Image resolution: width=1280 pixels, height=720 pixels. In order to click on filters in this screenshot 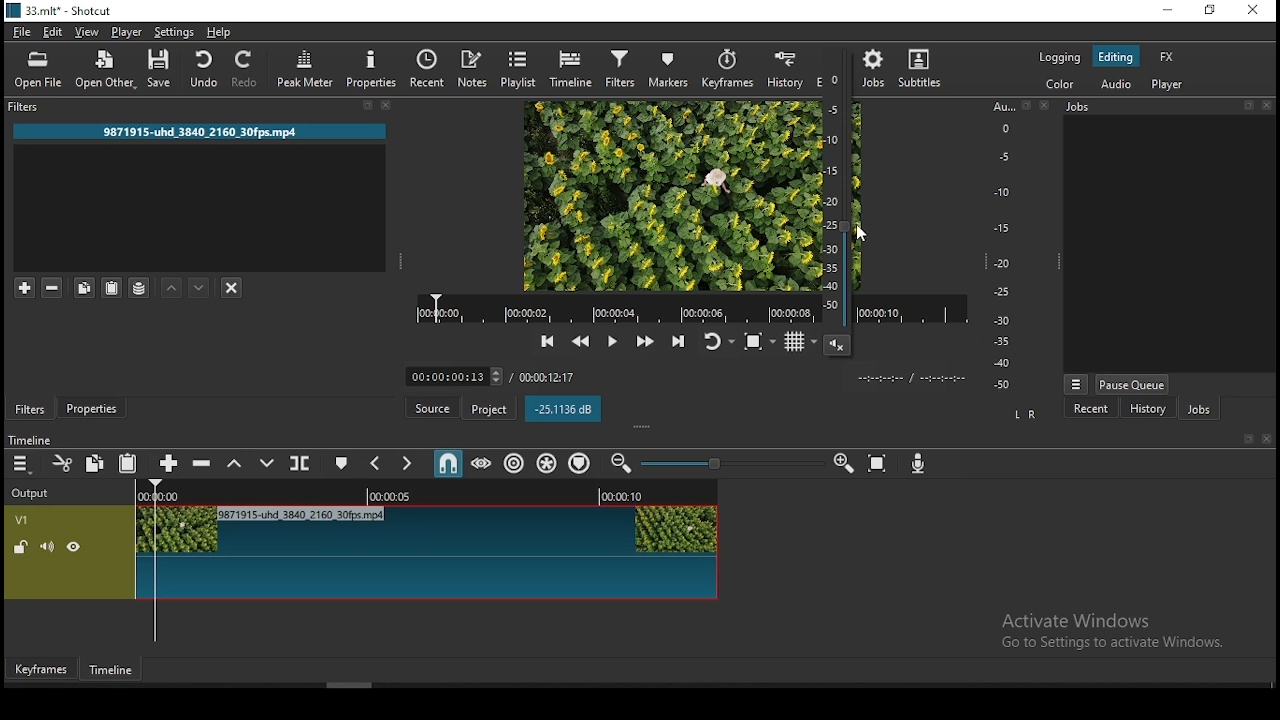, I will do `click(621, 70)`.